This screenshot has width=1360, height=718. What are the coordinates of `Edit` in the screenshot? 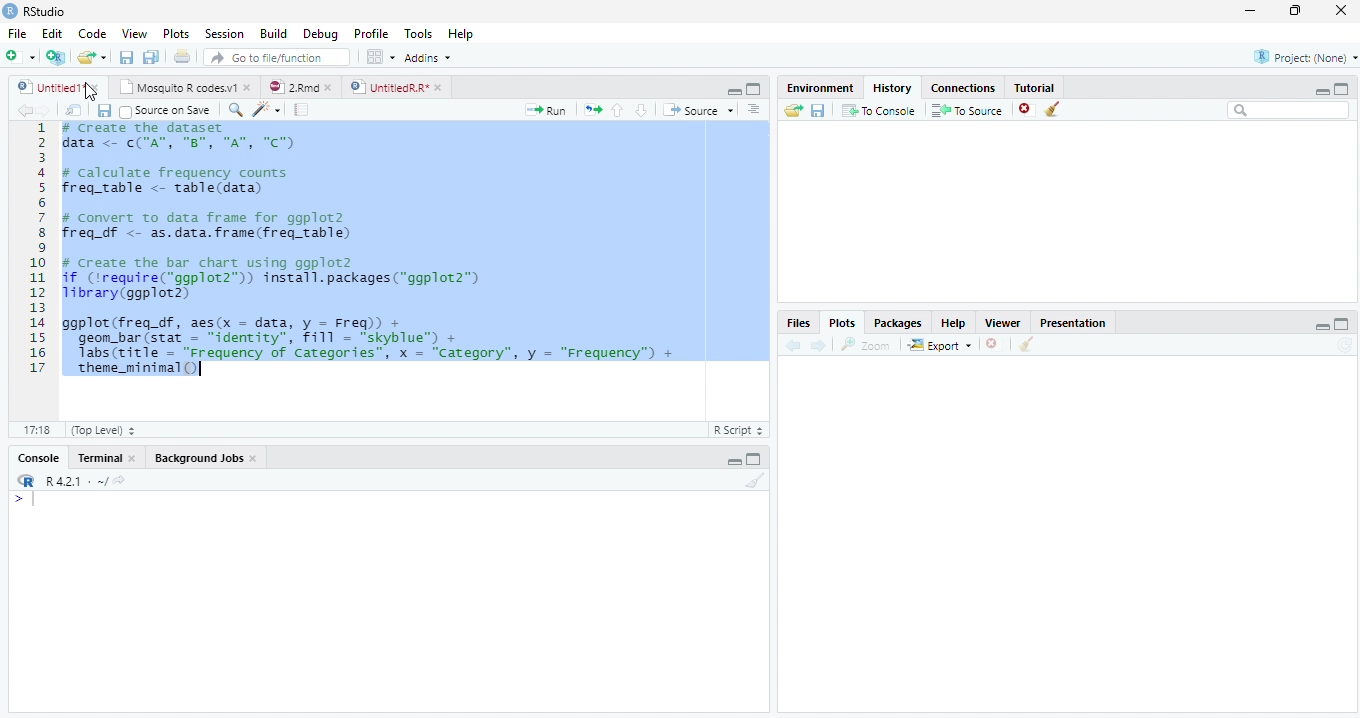 It's located at (52, 35).